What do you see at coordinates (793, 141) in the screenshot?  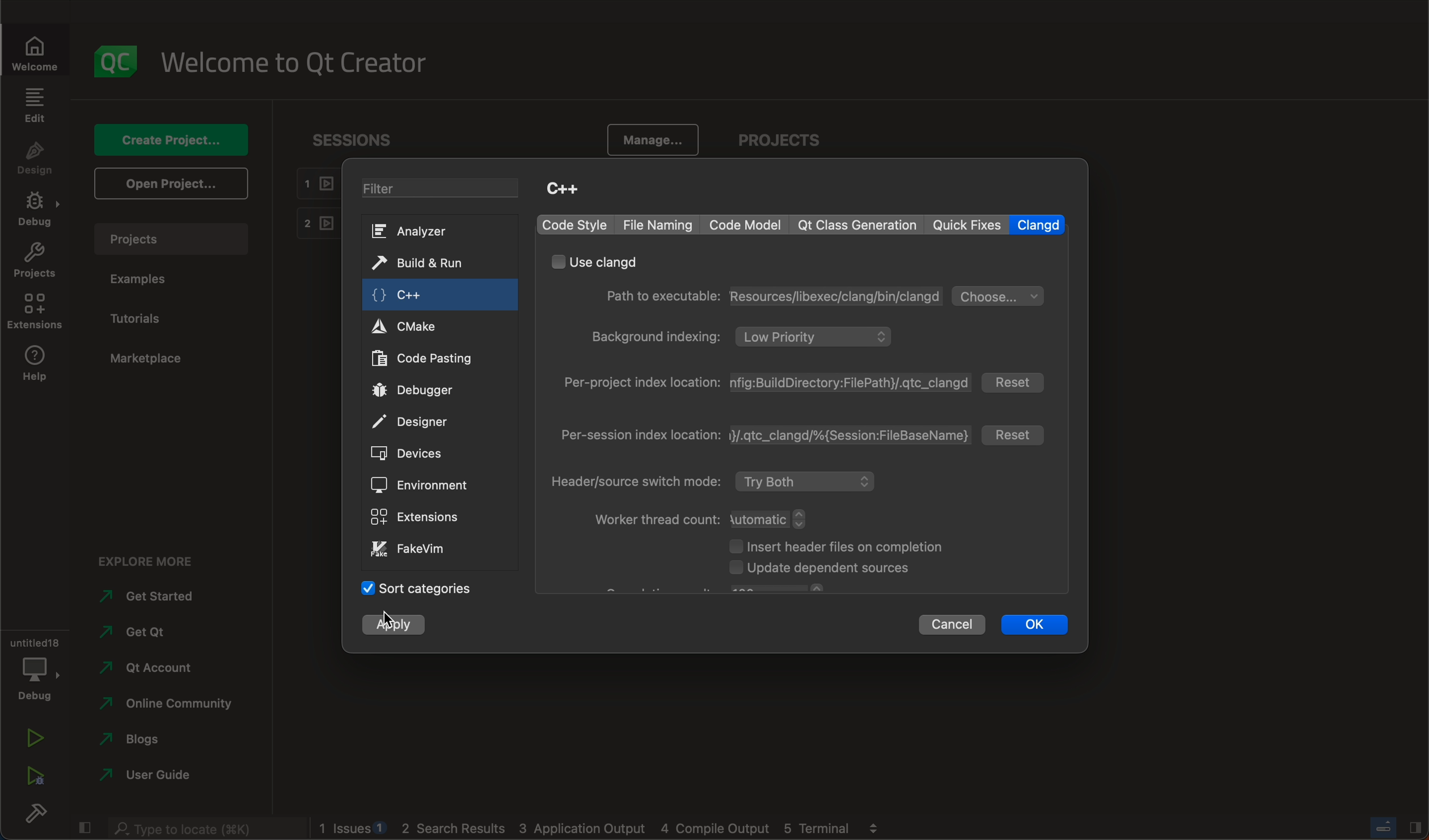 I see `projects` at bounding box center [793, 141].